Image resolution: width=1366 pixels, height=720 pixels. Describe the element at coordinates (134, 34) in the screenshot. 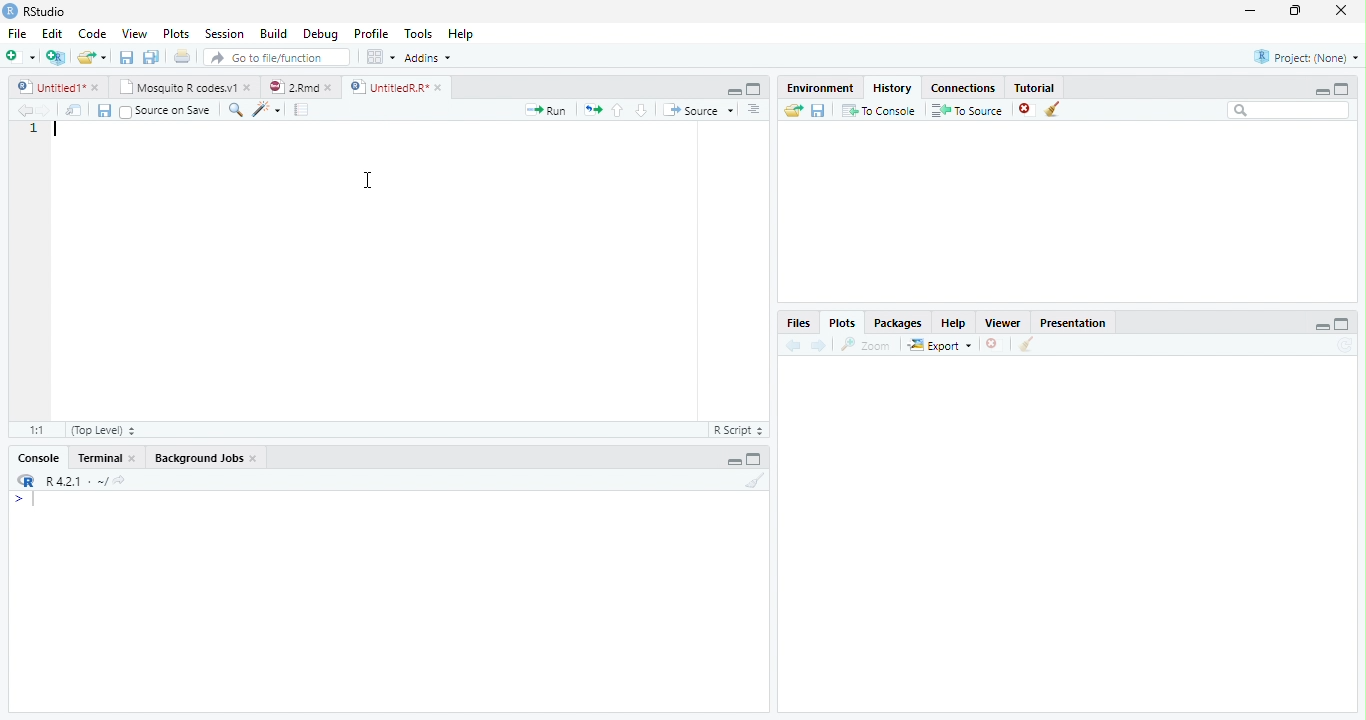

I see `View` at that location.